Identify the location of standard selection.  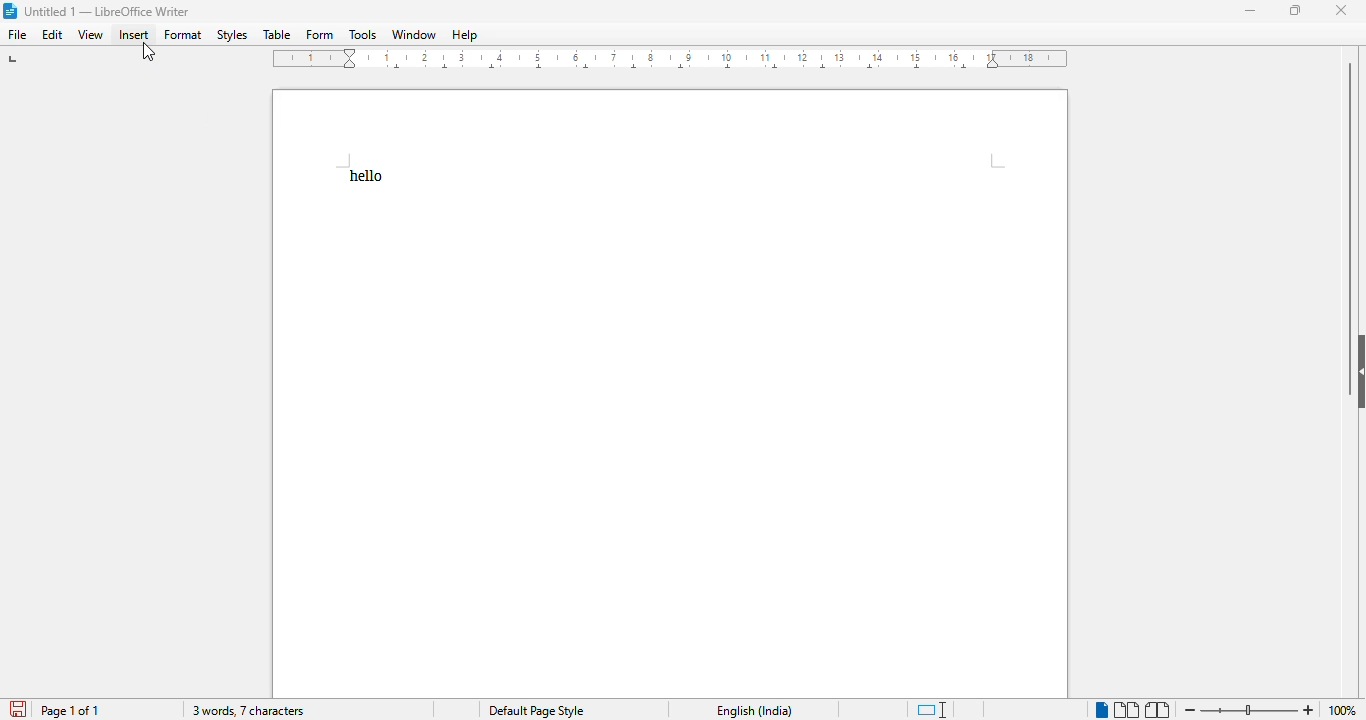
(932, 710).